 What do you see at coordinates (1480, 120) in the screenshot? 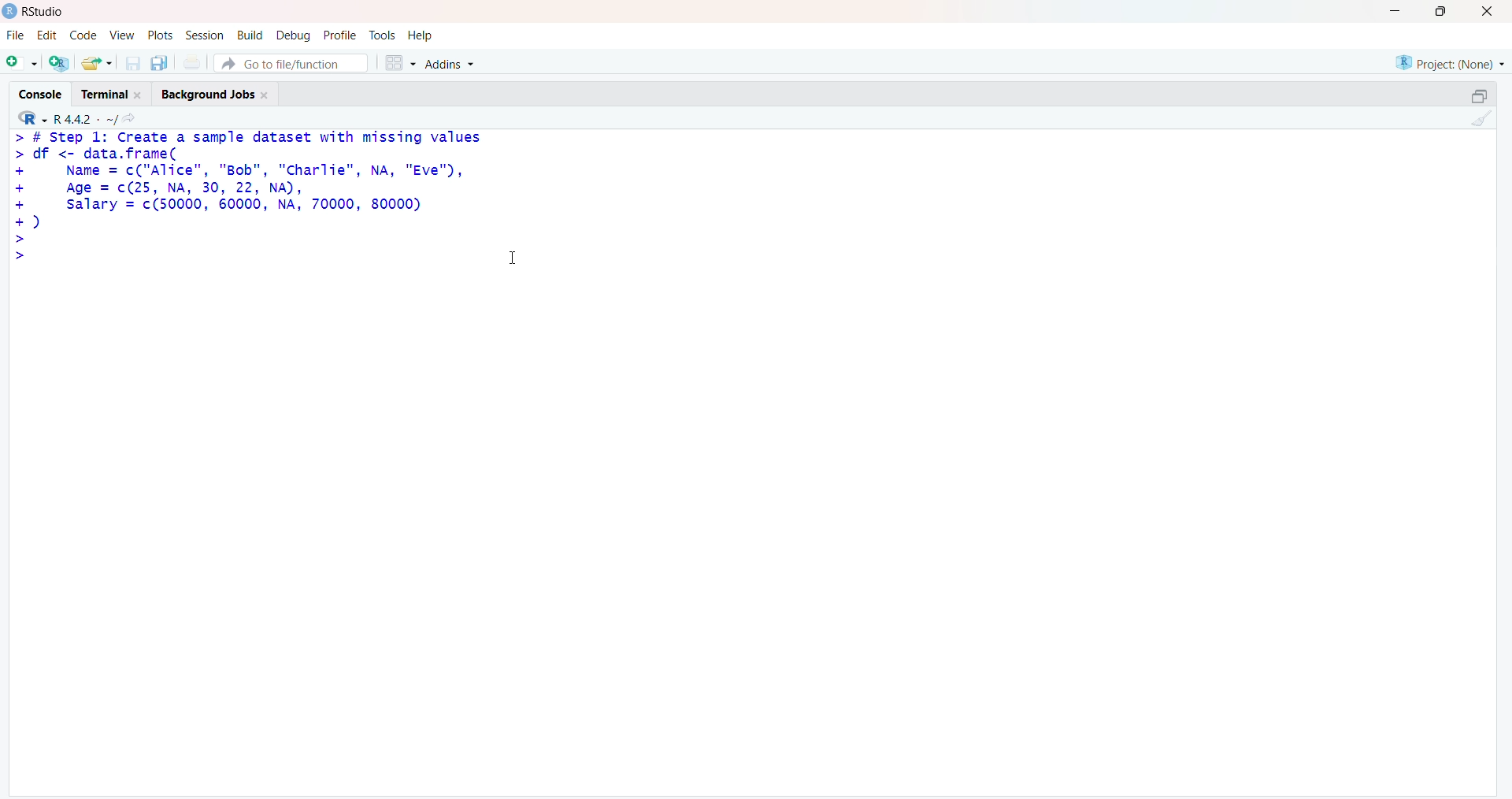
I see `Clear console (Ctrl + L)` at bounding box center [1480, 120].